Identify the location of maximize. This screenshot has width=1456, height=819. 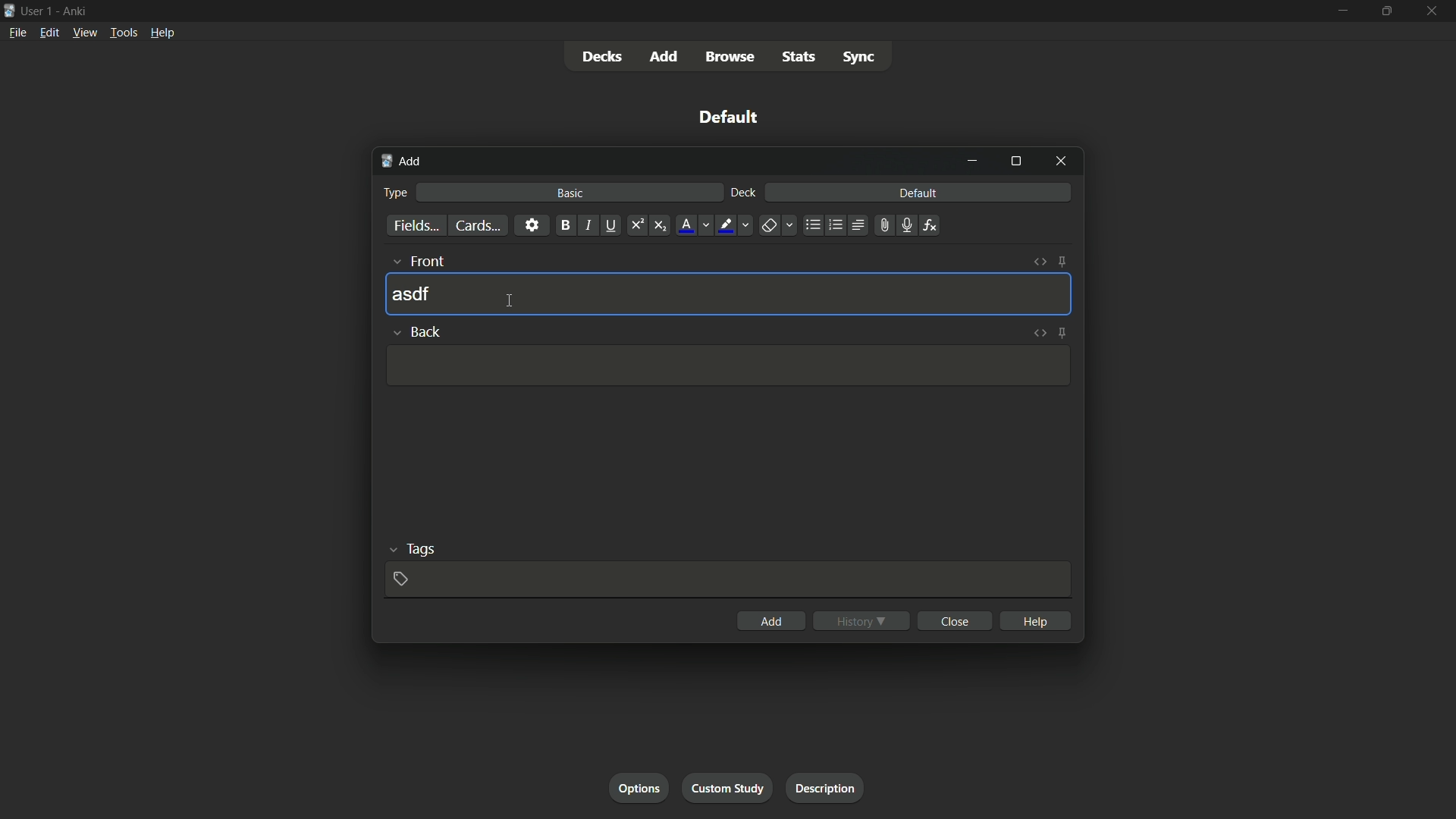
(1385, 10).